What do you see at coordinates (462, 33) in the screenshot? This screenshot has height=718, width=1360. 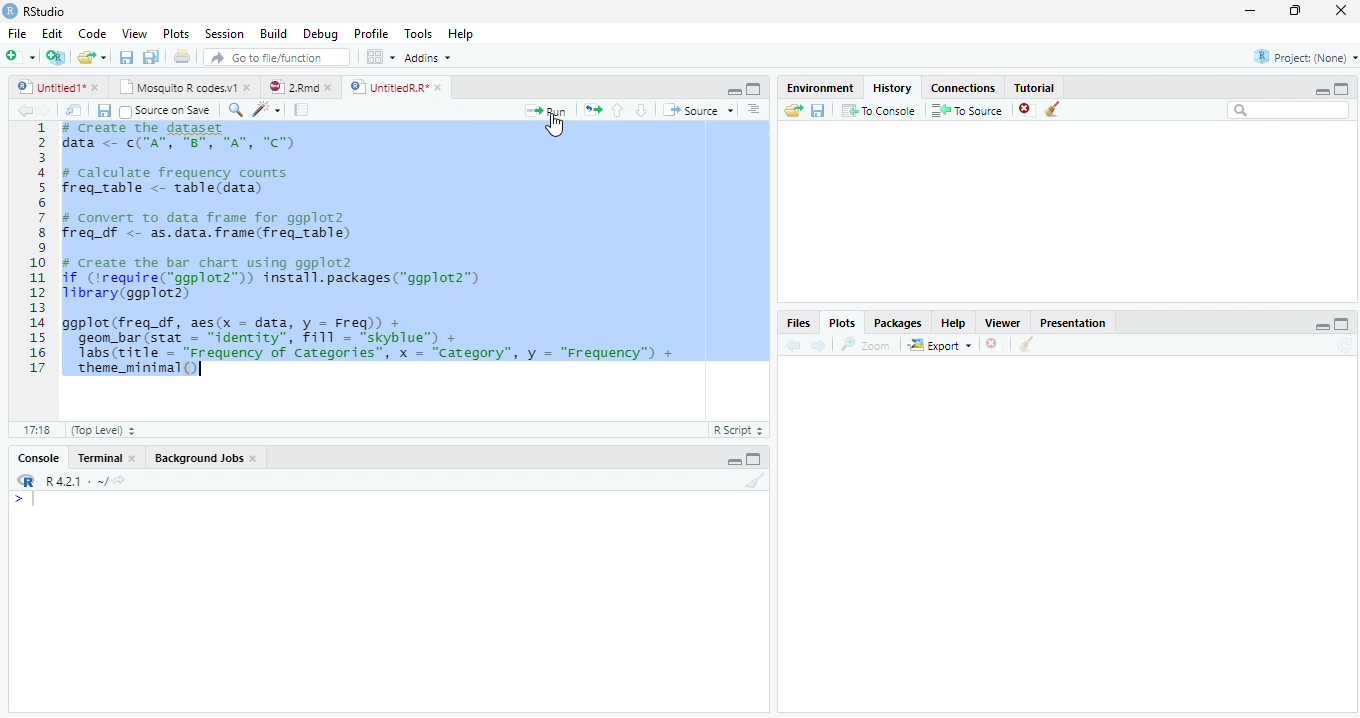 I see `Help` at bounding box center [462, 33].